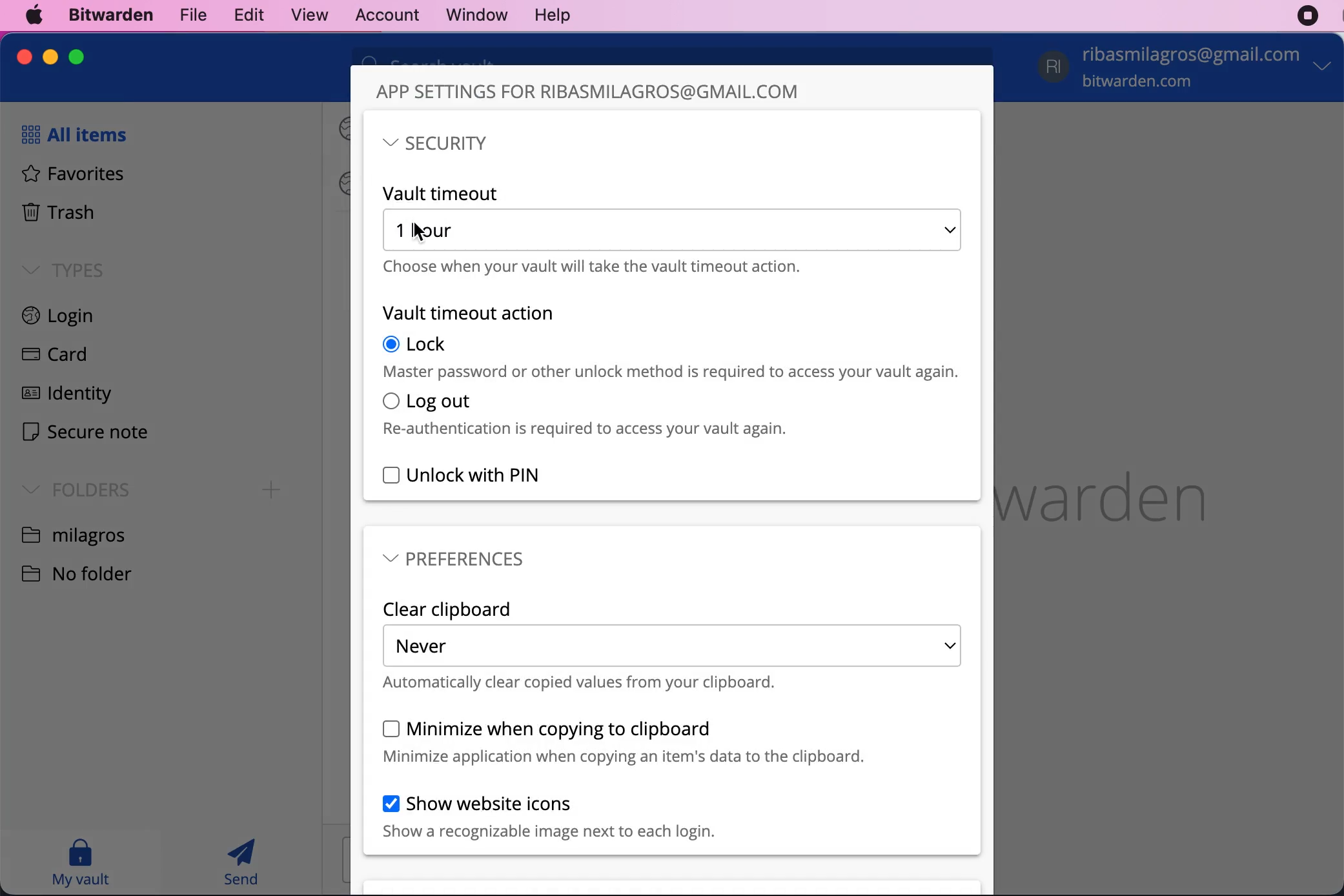 The width and height of the screenshot is (1344, 896). I want to click on window, so click(469, 15).